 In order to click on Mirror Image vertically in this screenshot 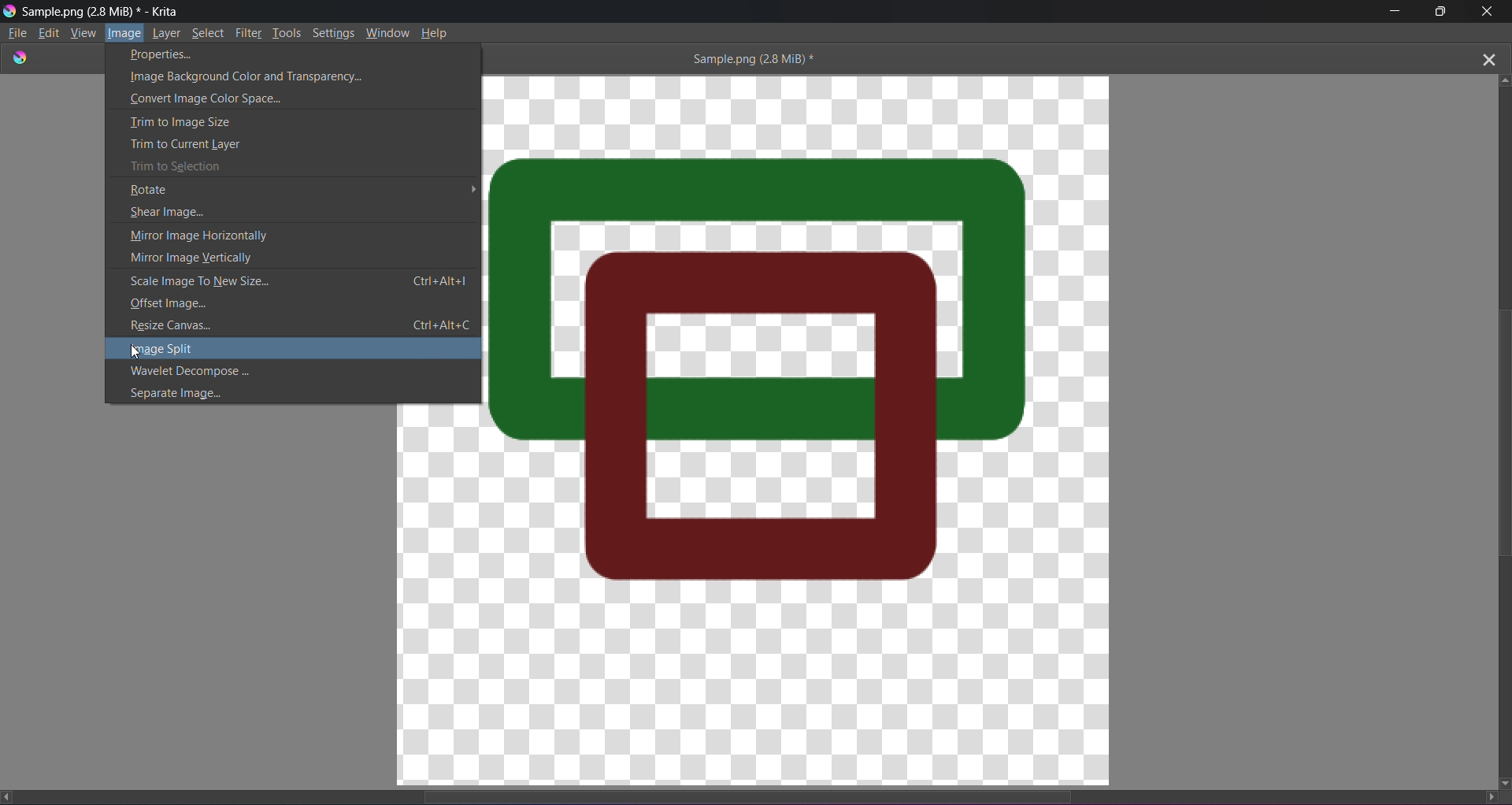, I will do `click(286, 257)`.